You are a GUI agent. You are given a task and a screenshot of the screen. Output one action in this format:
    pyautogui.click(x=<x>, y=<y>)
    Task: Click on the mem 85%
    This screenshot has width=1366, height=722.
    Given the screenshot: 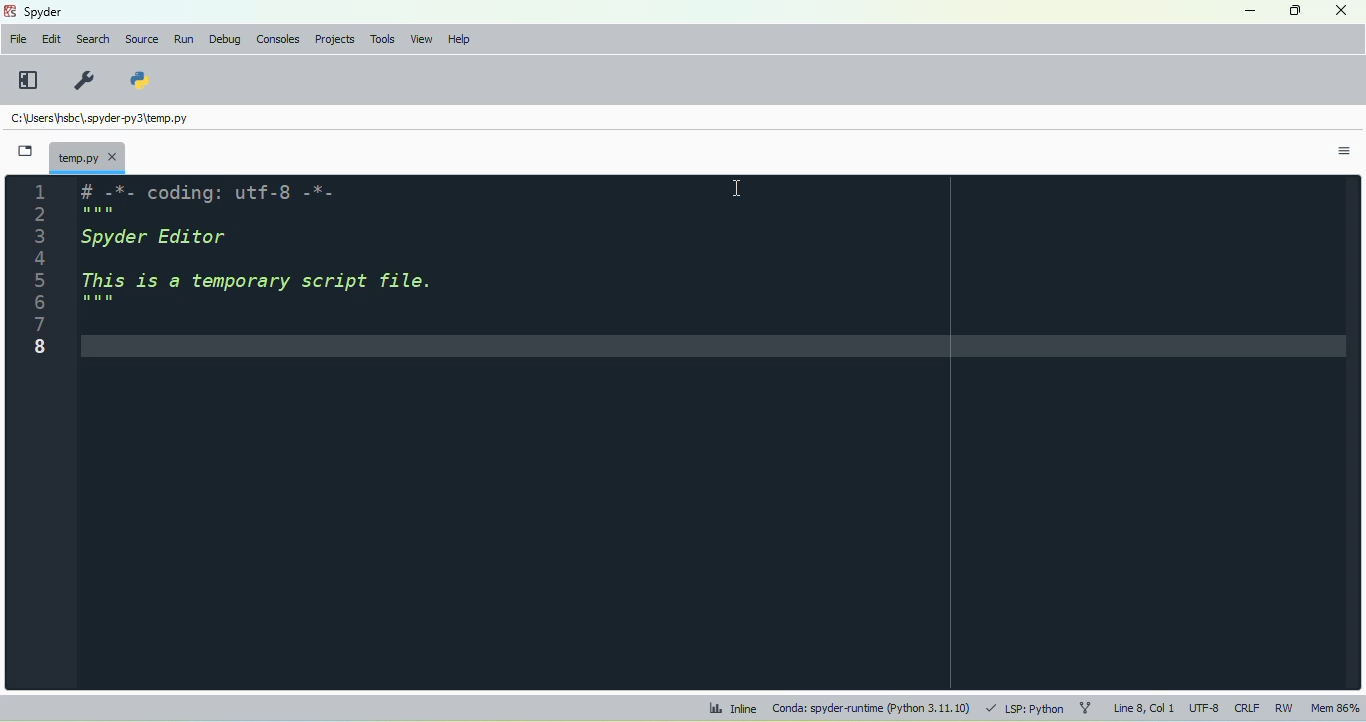 What is the action you would take?
    pyautogui.click(x=1334, y=707)
    